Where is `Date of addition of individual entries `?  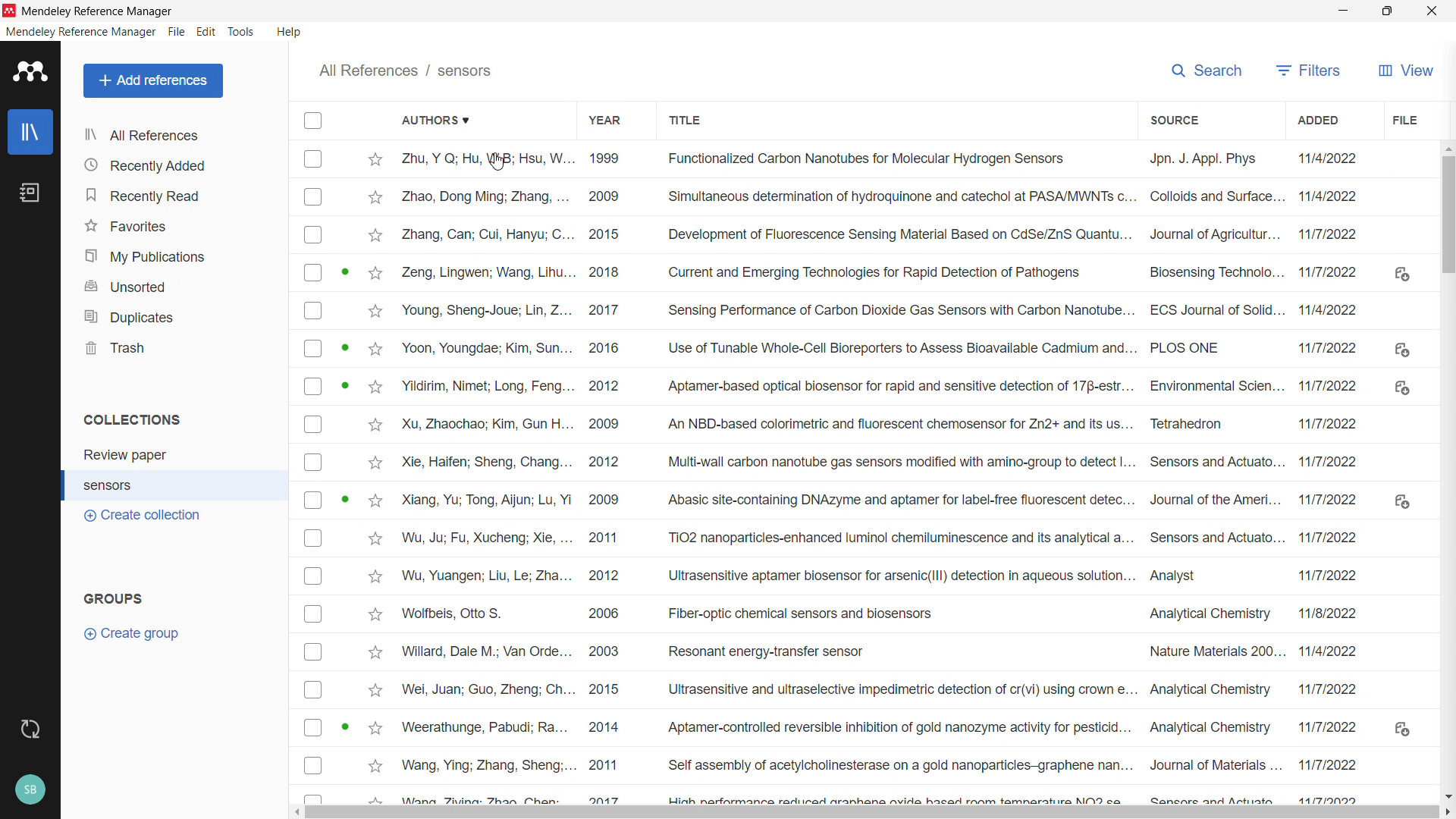 Date of addition of individual entries  is located at coordinates (1331, 474).